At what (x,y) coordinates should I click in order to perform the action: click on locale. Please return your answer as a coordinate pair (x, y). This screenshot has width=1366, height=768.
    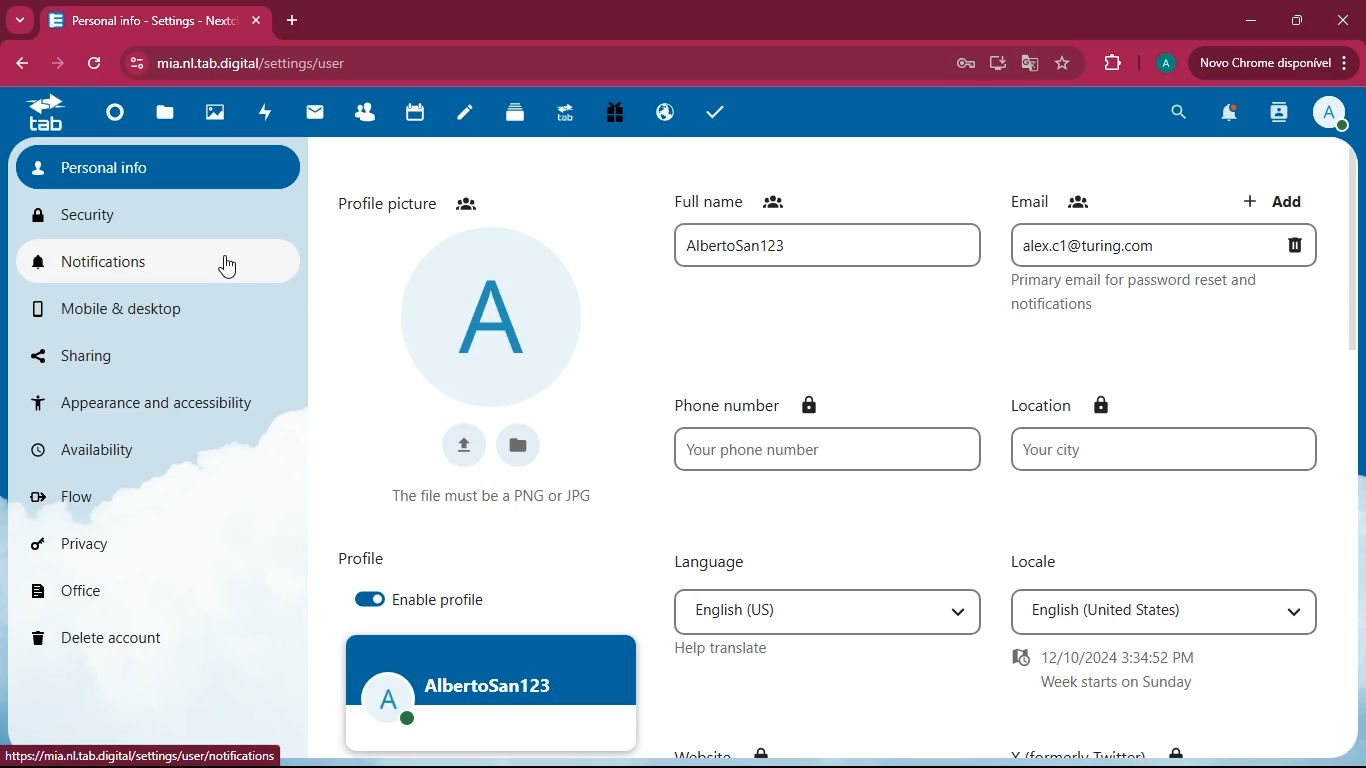
    Looking at the image, I should click on (1041, 561).